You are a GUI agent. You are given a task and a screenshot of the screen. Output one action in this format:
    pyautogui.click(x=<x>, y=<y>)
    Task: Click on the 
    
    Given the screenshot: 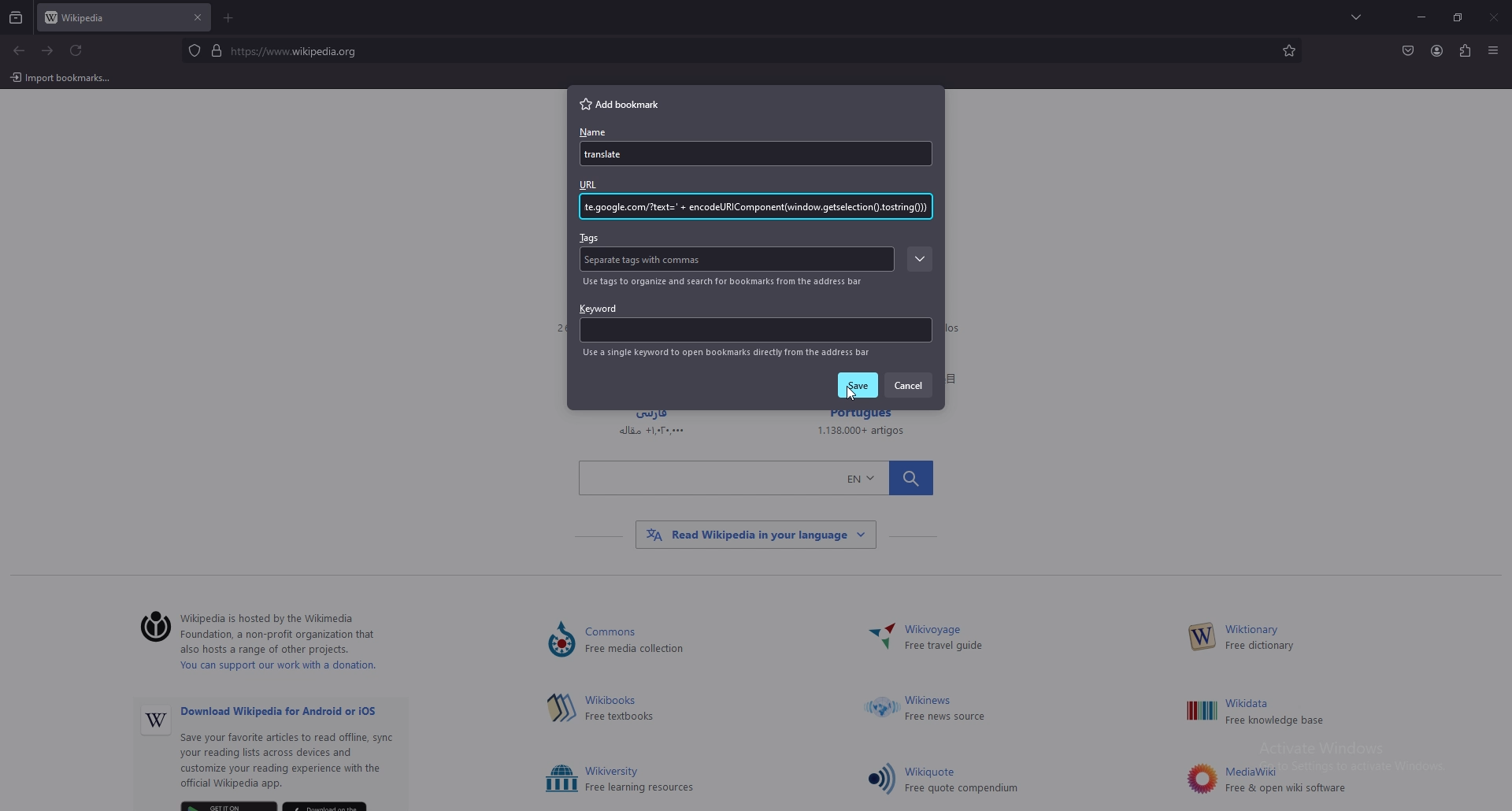 What is the action you would take?
    pyautogui.click(x=755, y=535)
    